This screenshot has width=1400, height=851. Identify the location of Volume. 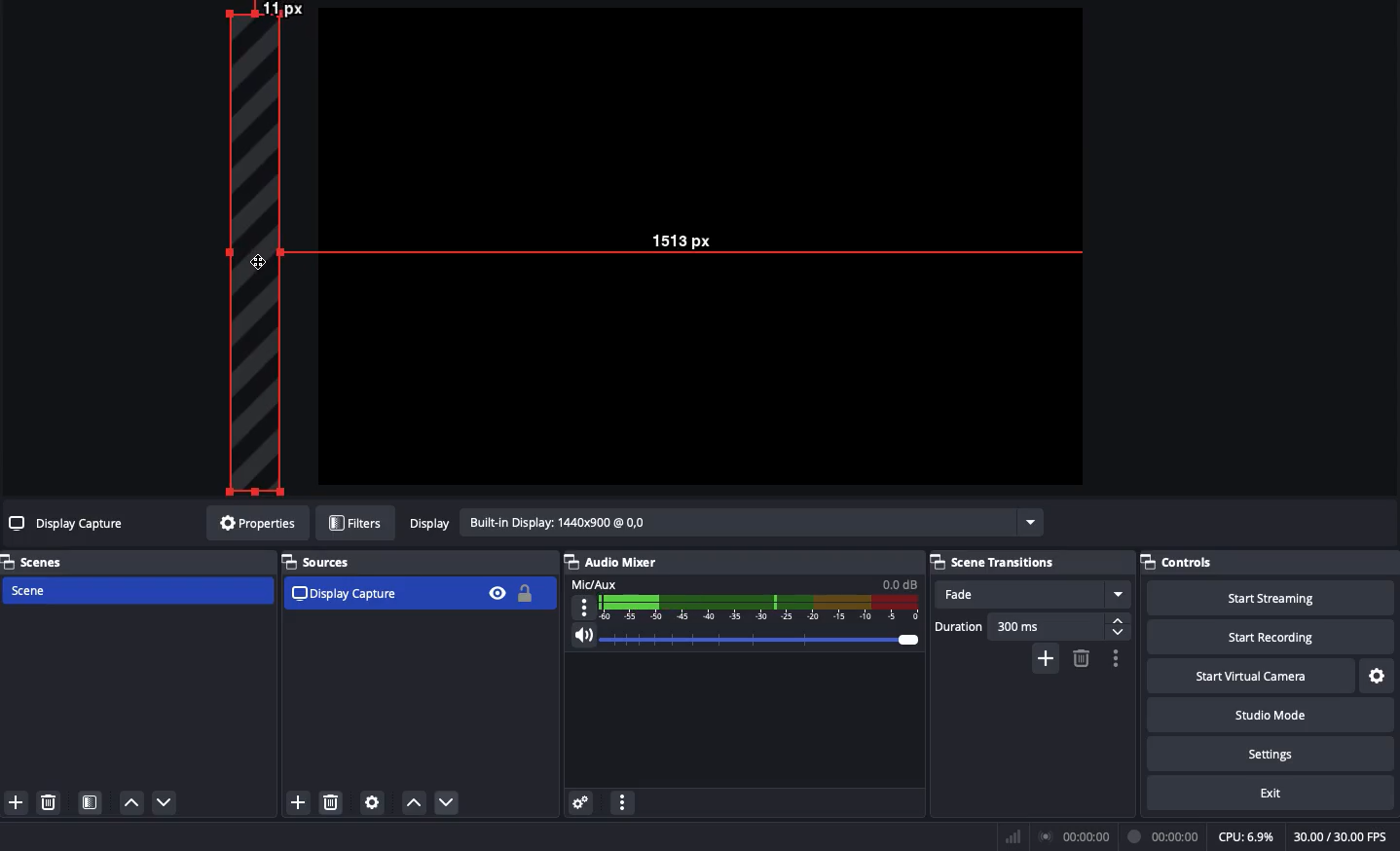
(740, 641).